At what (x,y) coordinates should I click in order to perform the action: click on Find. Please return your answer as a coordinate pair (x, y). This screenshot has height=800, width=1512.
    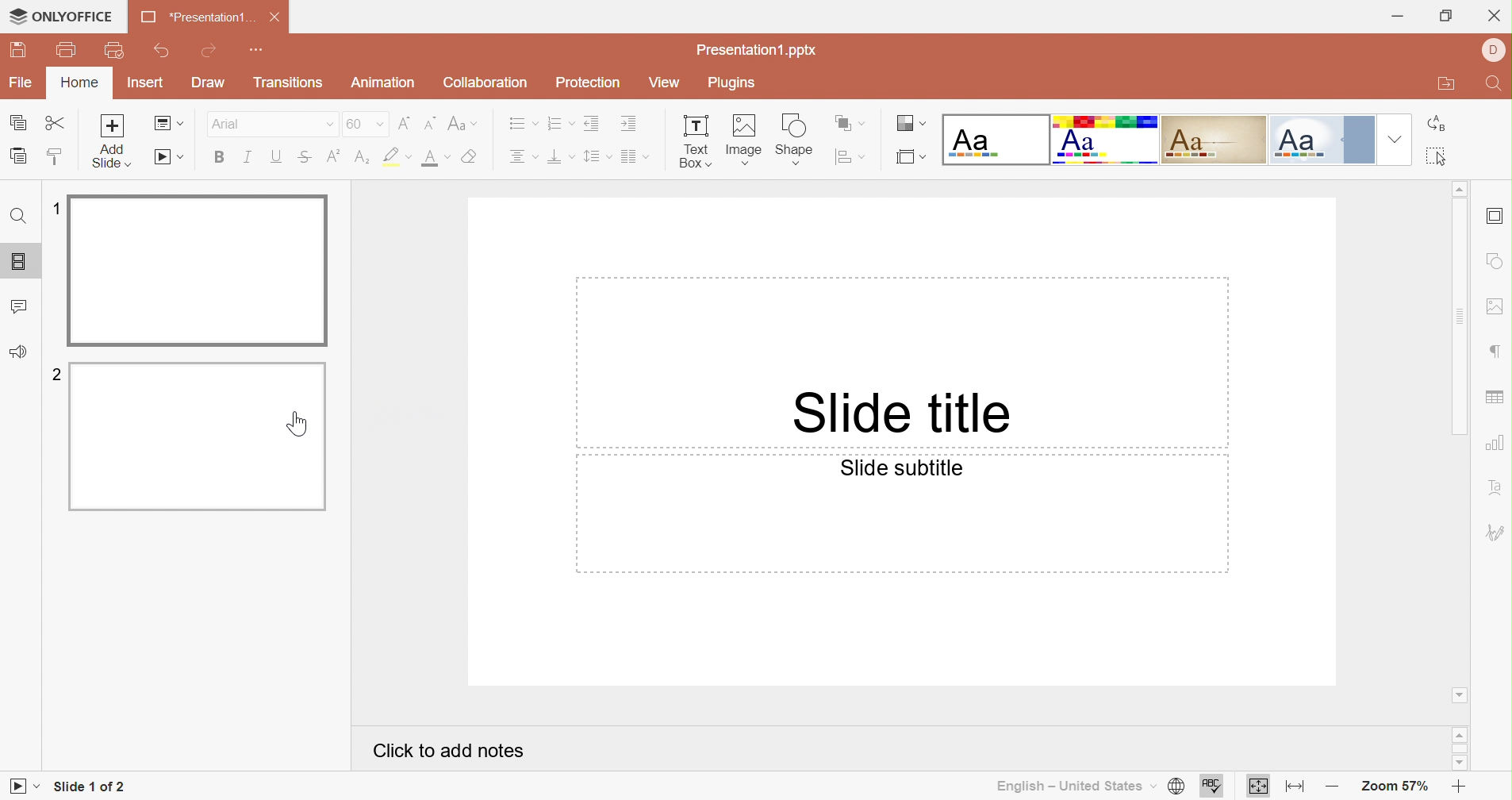
    Looking at the image, I should click on (1495, 85).